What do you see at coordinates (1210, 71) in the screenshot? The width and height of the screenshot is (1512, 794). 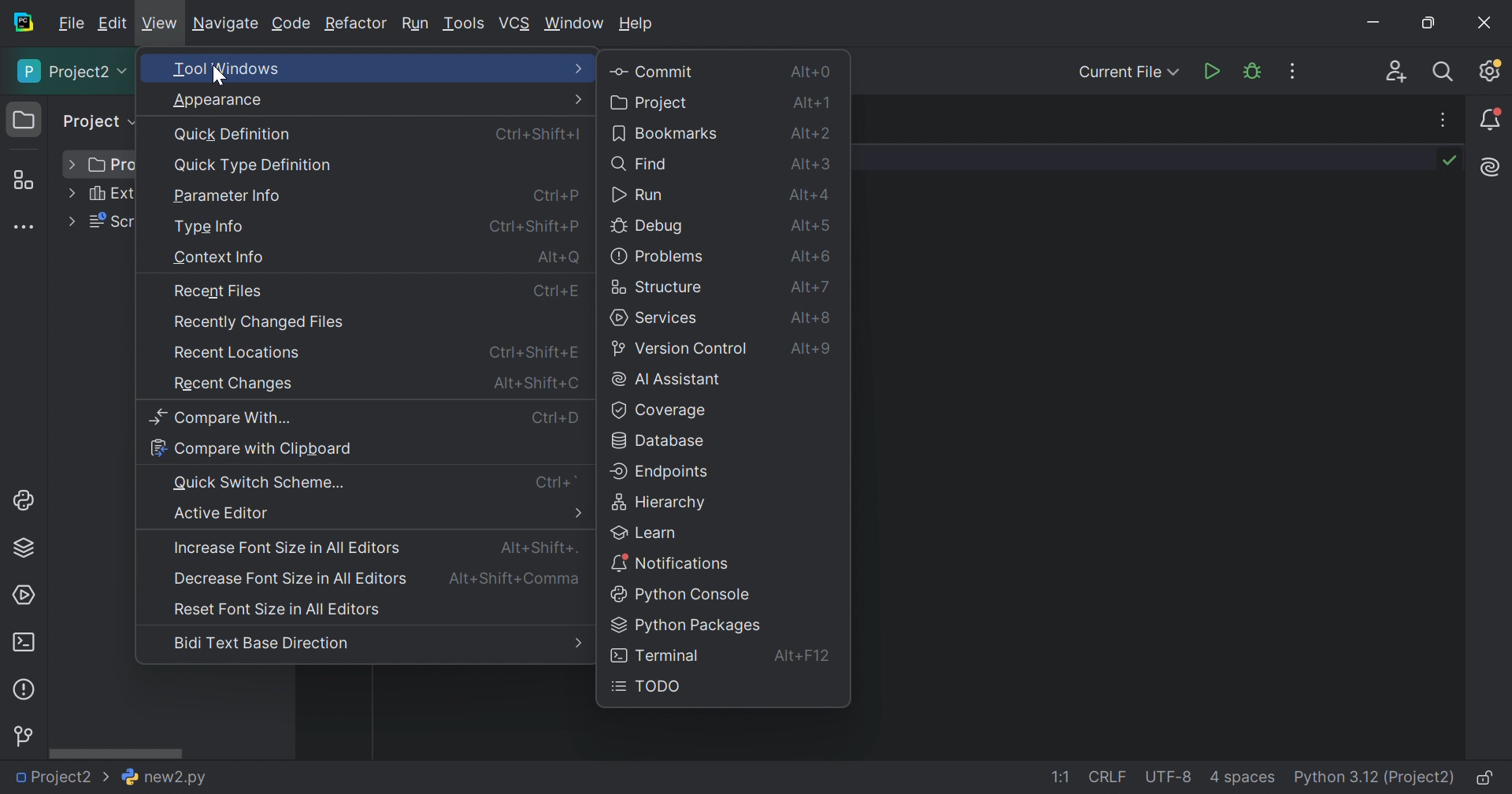 I see `Run` at bounding box center [1210, 71].